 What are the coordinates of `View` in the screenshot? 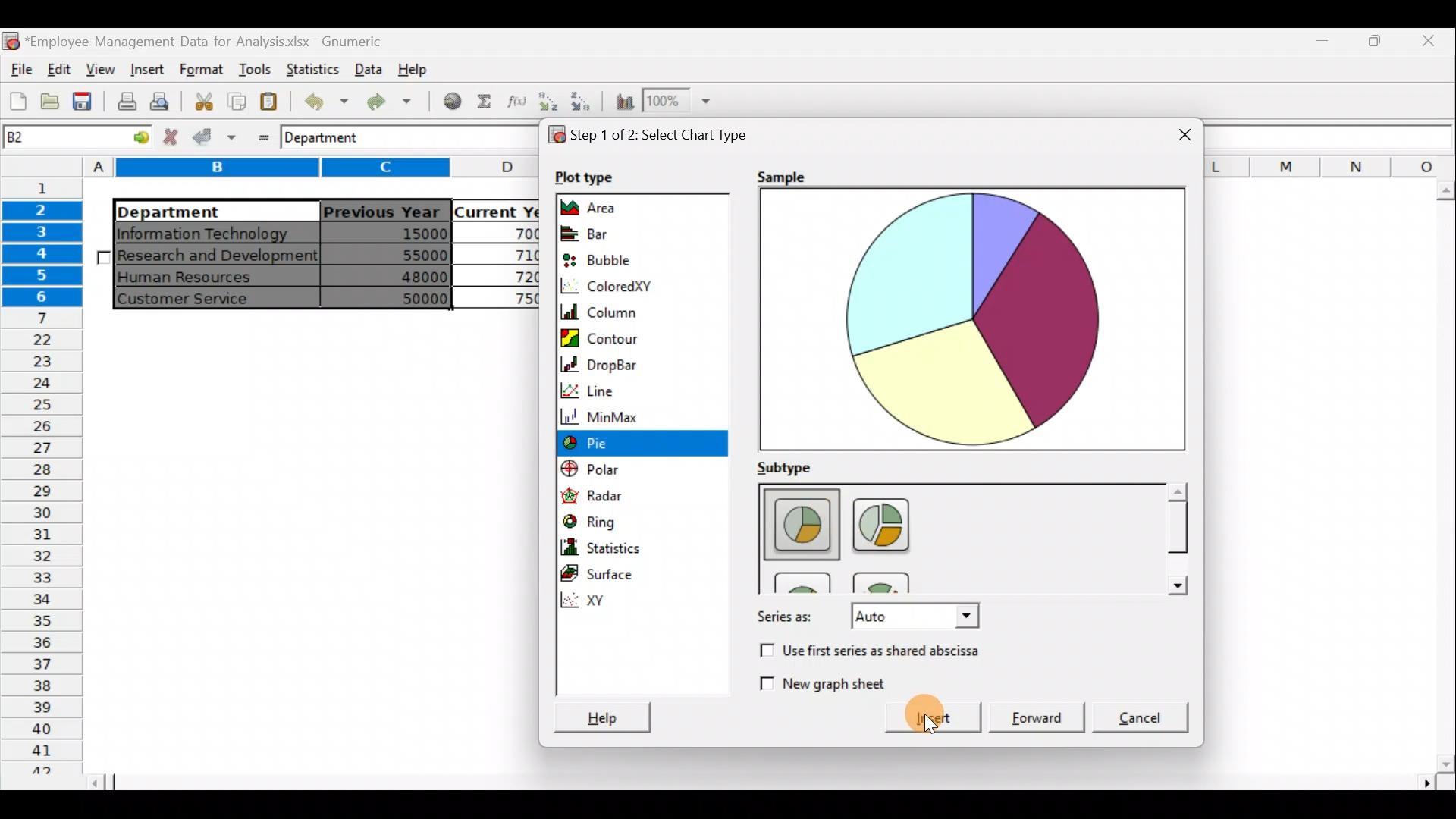 It's located at (103, 67).